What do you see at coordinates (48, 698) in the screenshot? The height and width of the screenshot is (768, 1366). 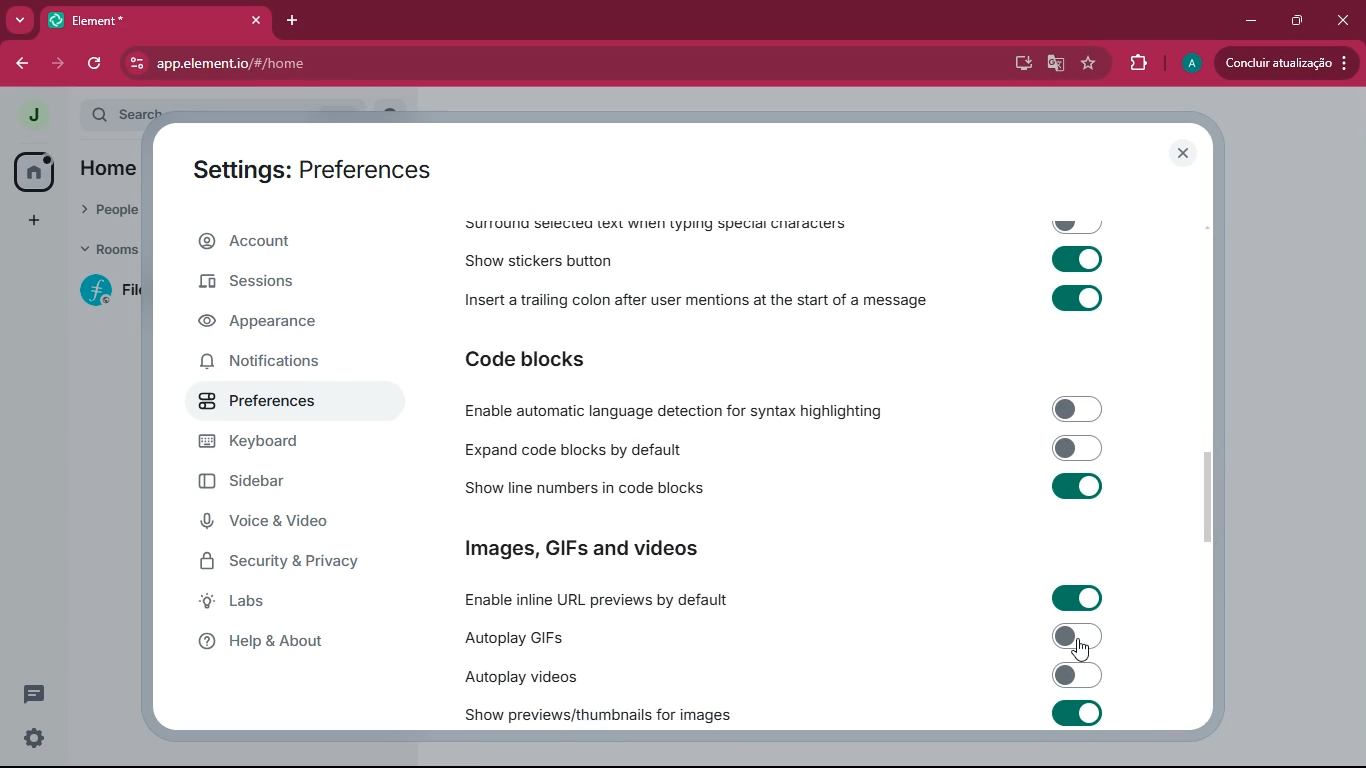 I see `comments ` at bounding box center [48, 698].